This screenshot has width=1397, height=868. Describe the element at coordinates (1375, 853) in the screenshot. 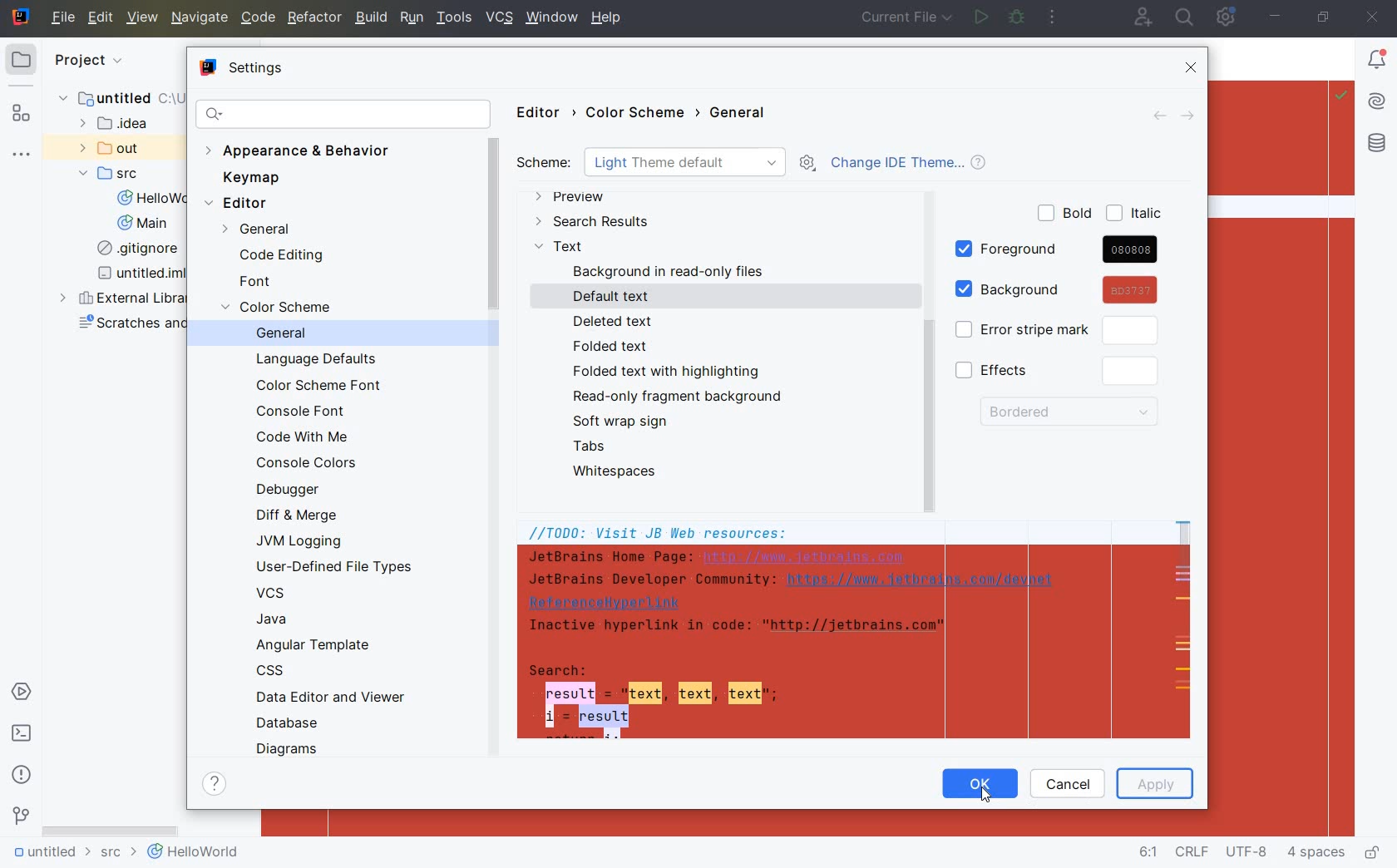

I see `make file ready only` at that location.